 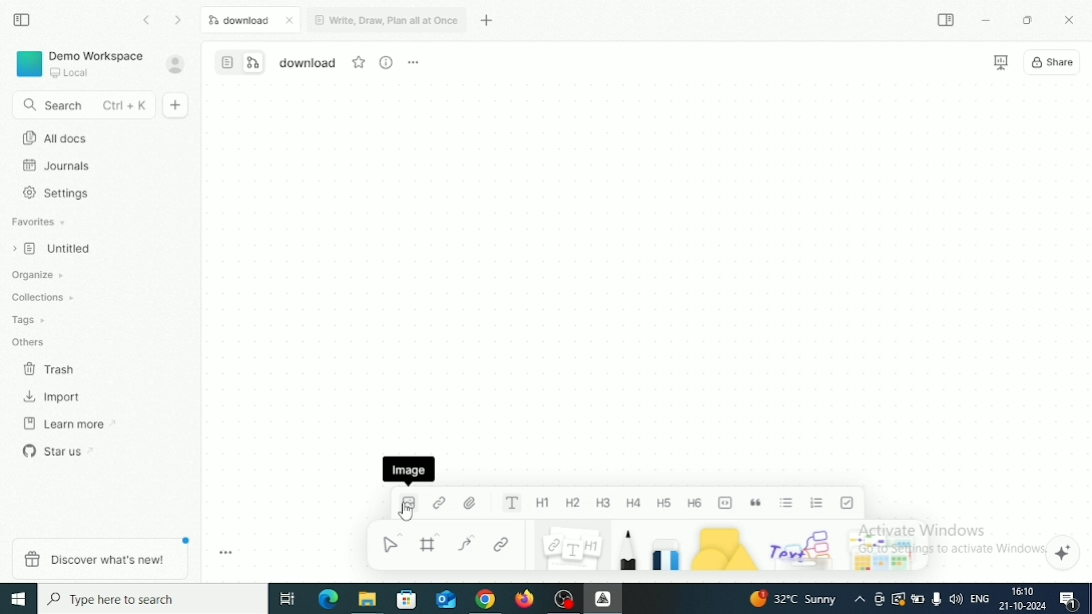 What do you see at coordinates (860, 599) in the screenshot?
I see `Show hidden icons` at bounding box center [860, 599].